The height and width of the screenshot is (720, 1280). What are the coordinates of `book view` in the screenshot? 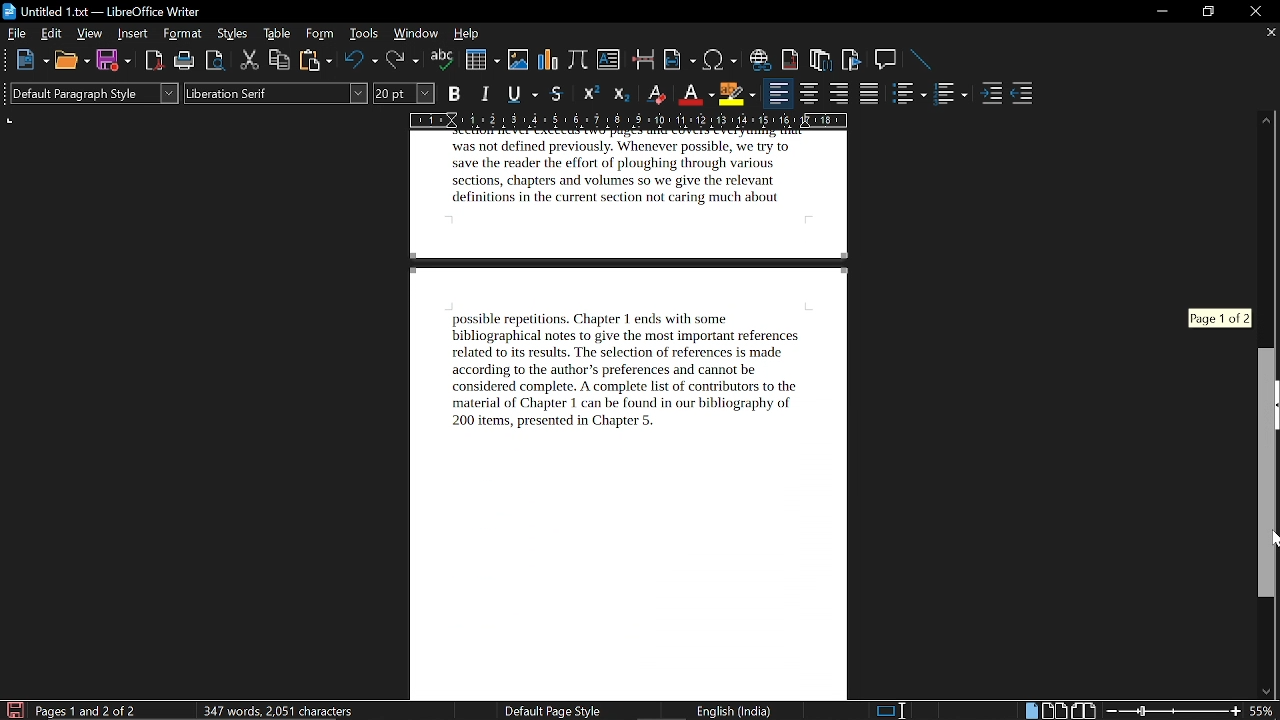 It's located at (1083, 709).